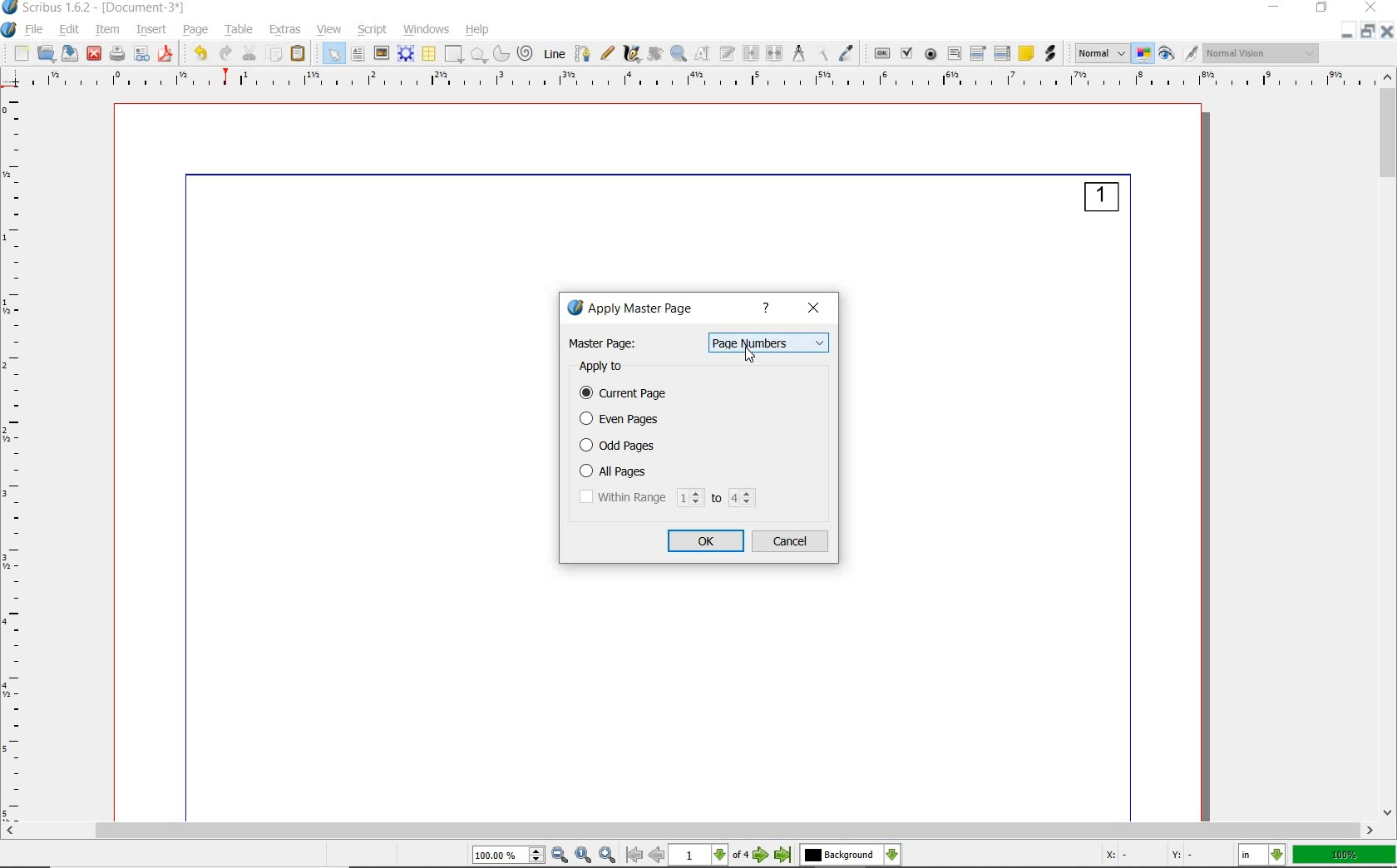 This screenshot has height=868, width=1397. What do you see at coordinates (1370, 8) in the screenshot?
I see `close` at bounding box center [1370, 8].